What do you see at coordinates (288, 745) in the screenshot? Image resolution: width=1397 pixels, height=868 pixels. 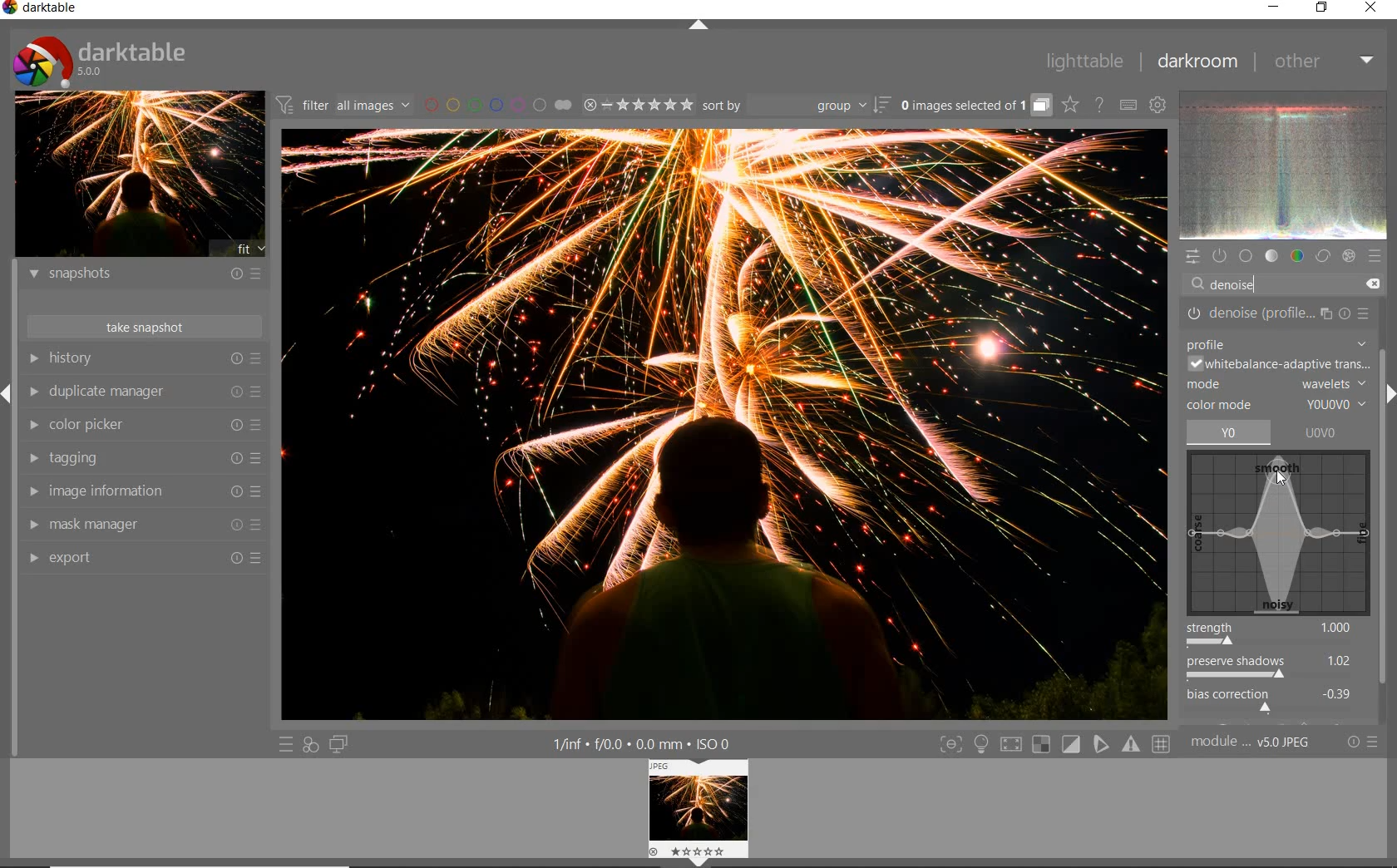 I see `quick access to presets` at bounding box center [288, 745].